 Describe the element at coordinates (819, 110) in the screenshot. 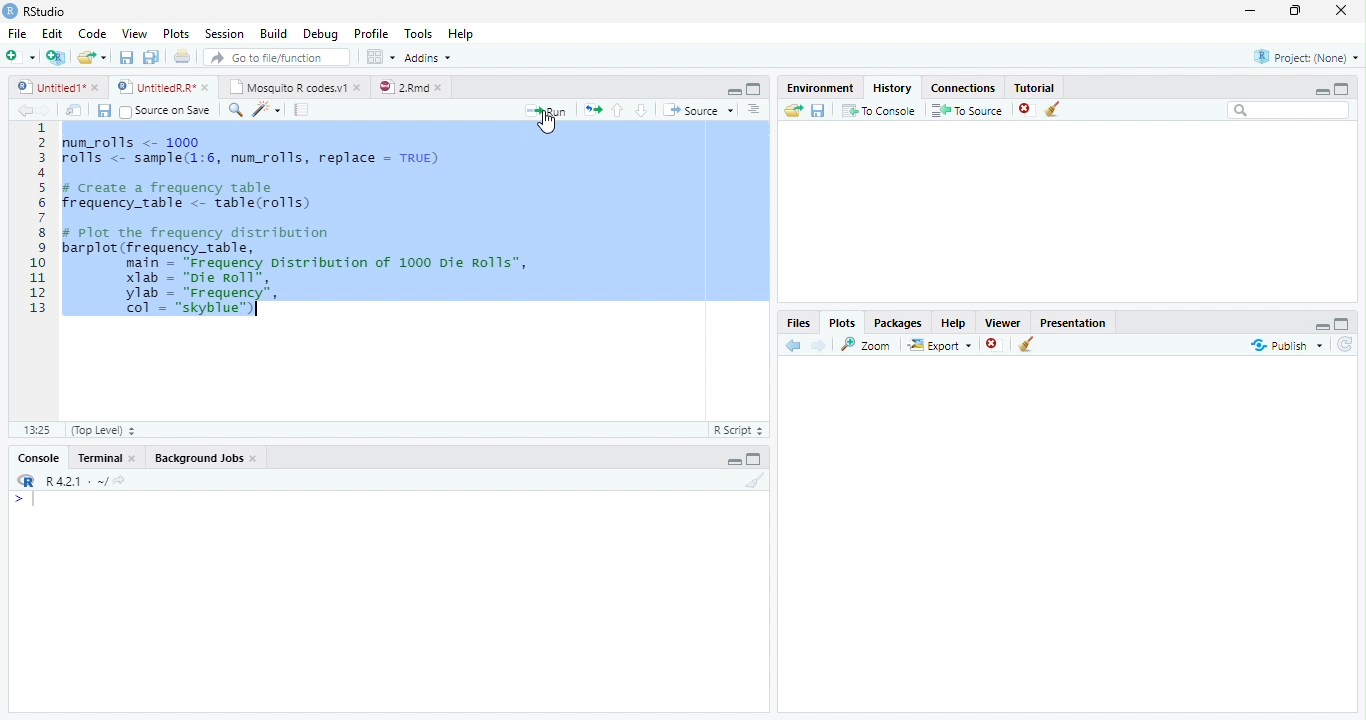

I see `Save File` at that location.